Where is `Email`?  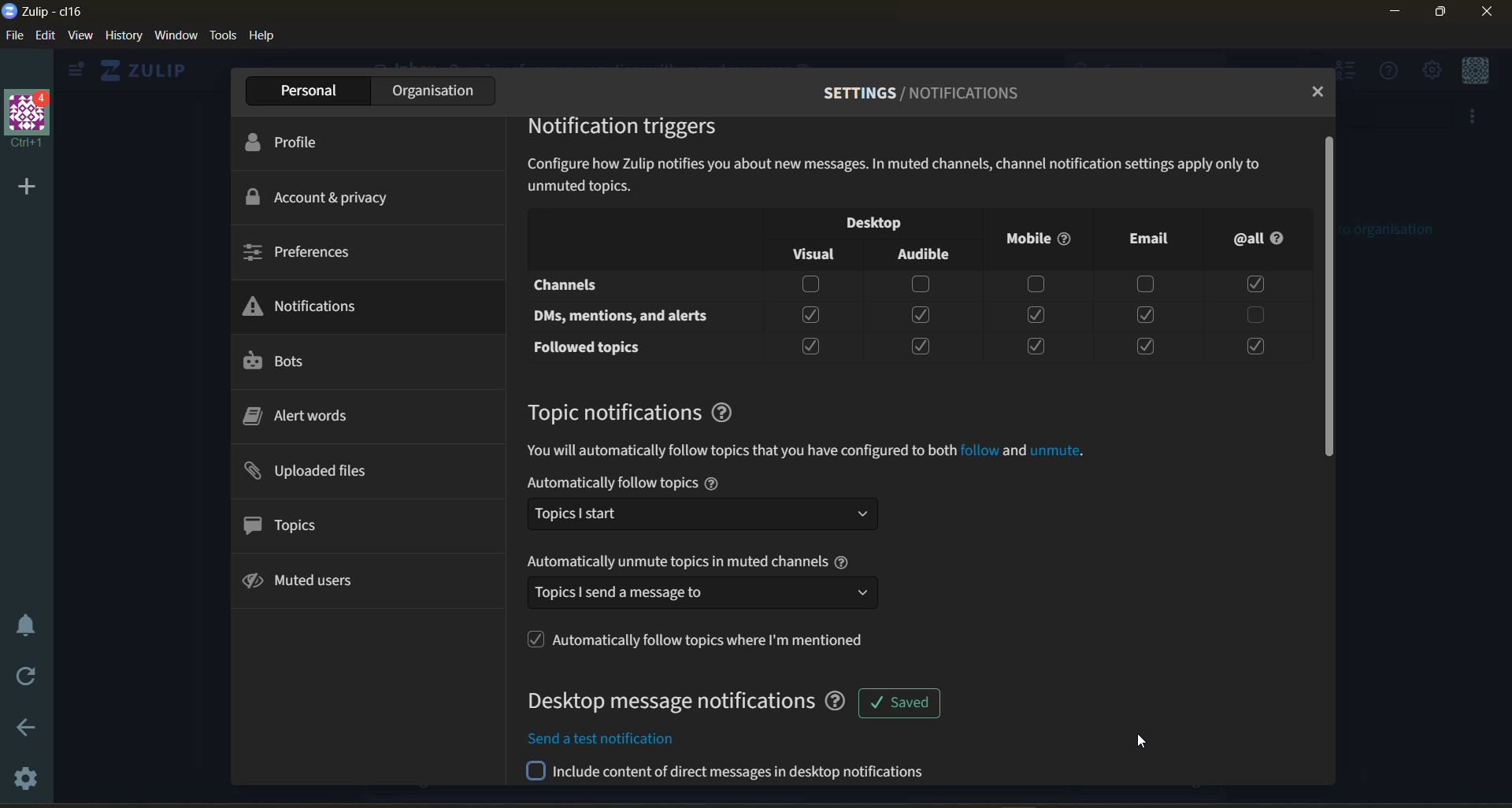
Email is located at coordinates (1151, 243).